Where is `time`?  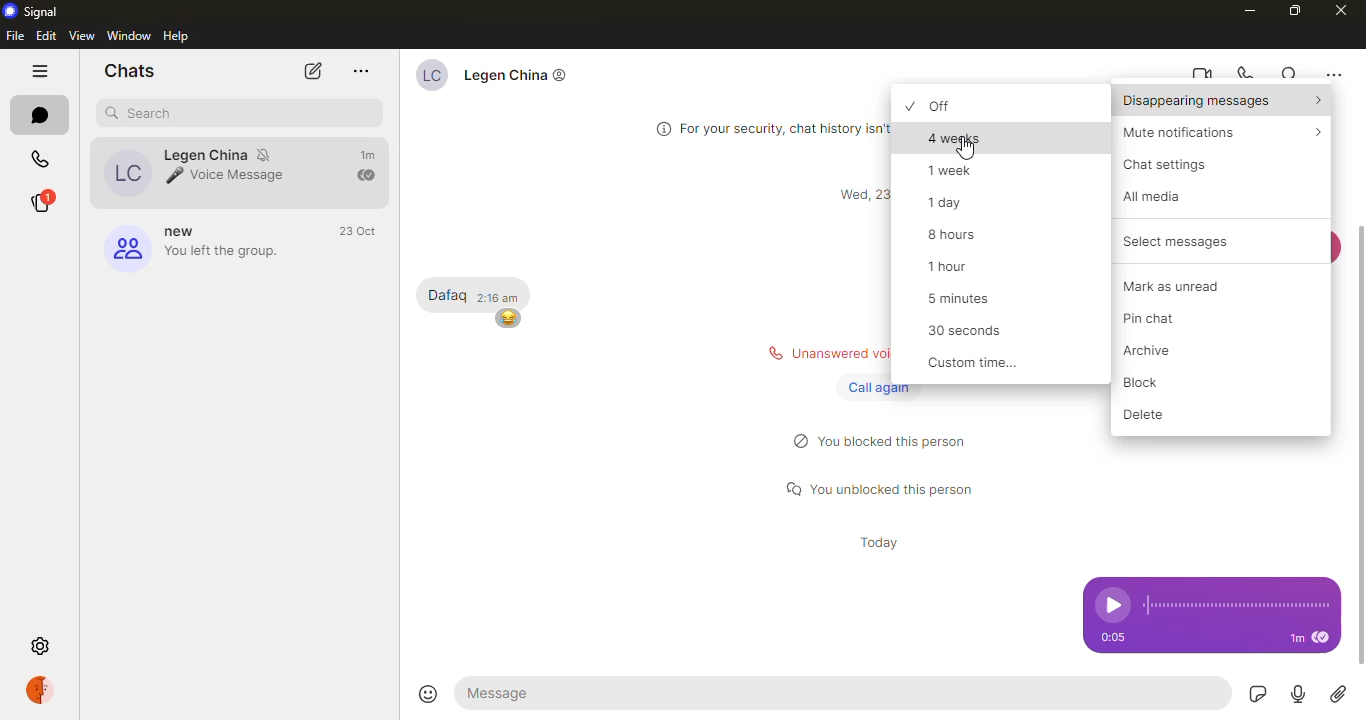 time is located at coordinates (859, 195).